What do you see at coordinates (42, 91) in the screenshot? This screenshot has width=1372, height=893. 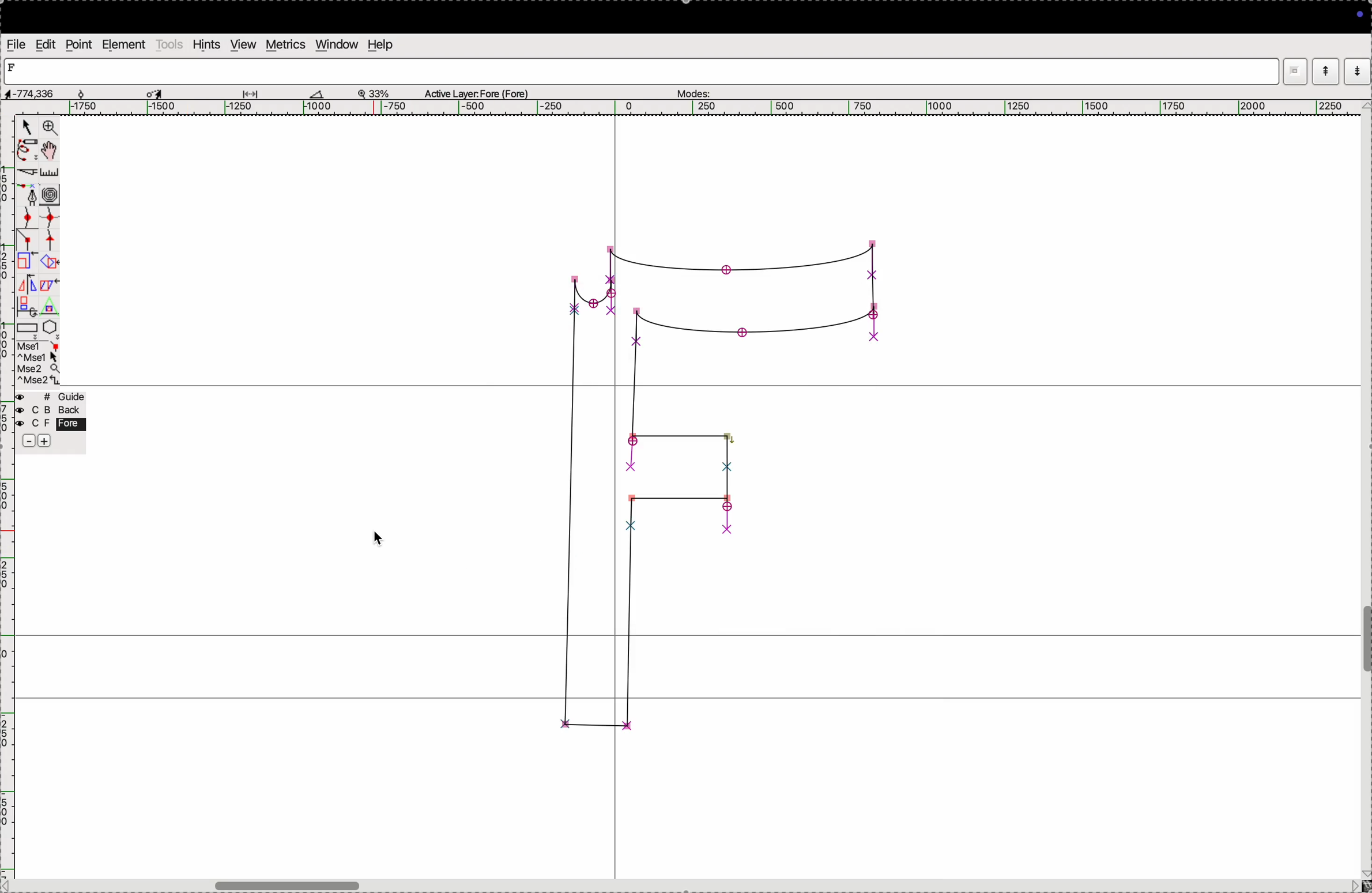 I see `aspects` at bounding box center [42, 91].